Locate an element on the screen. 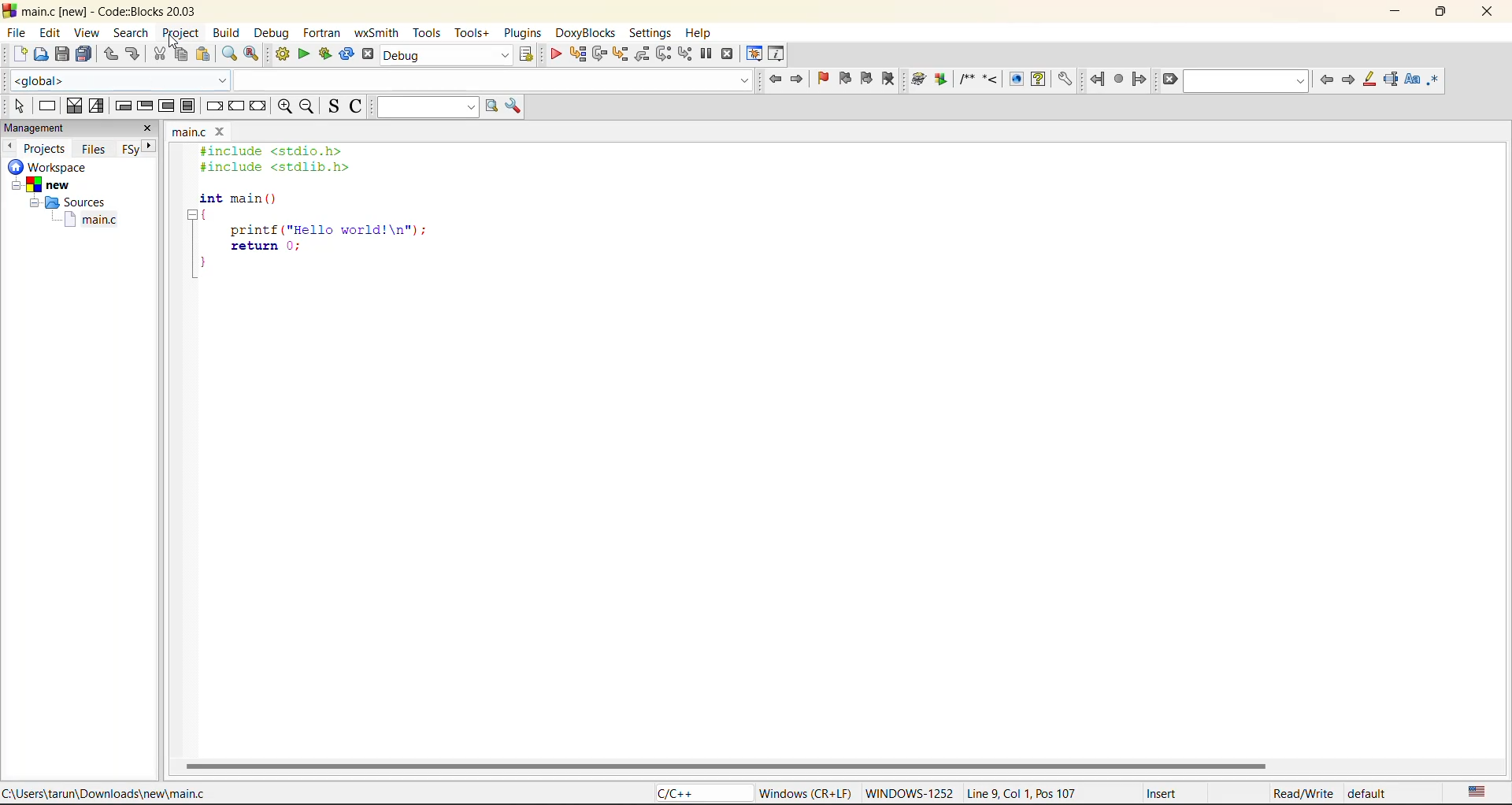 The width and height of the screenshot is (1512, 805). zoom in is located at coordinates (283, 109).